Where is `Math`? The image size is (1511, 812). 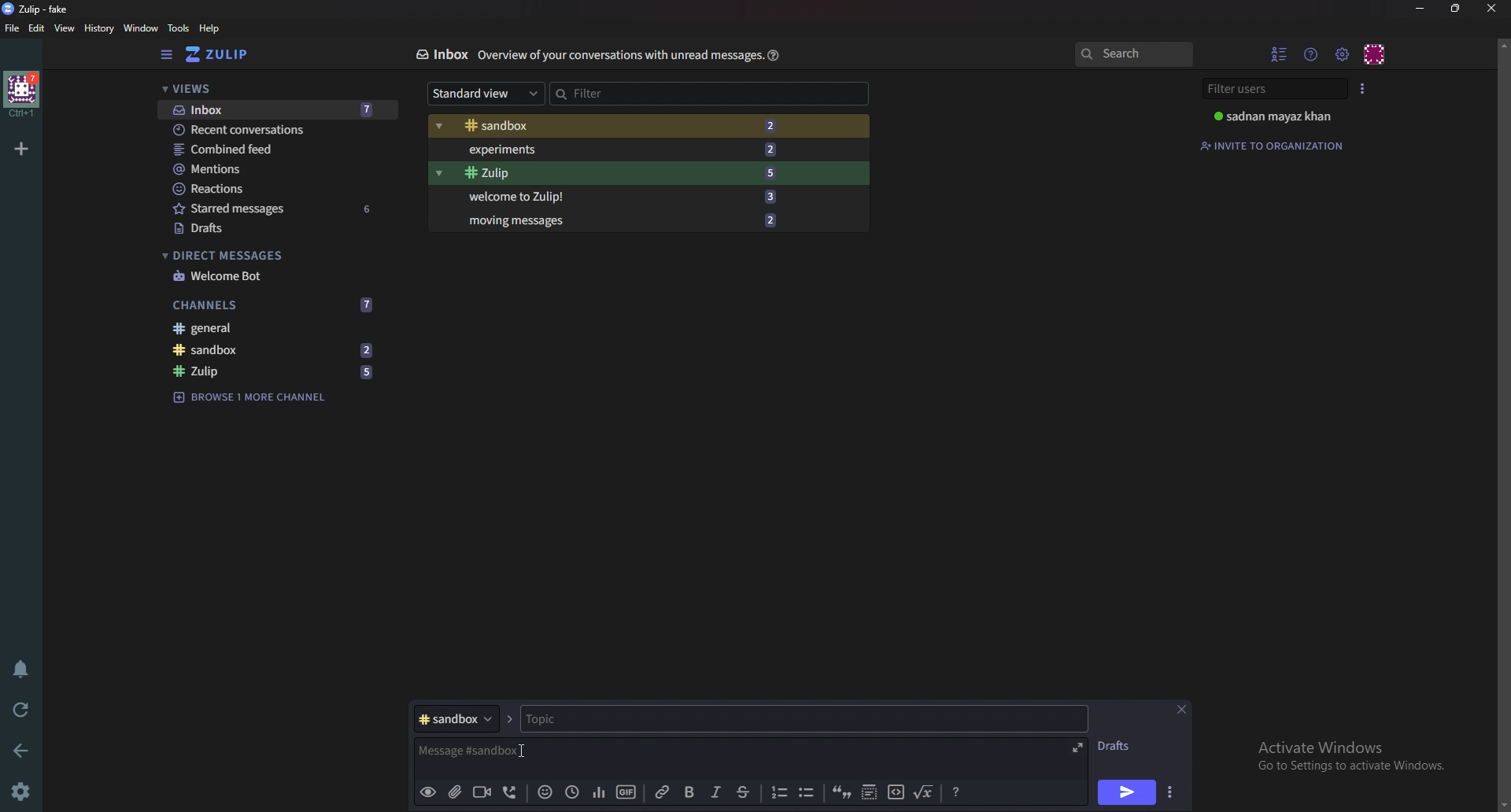
Math is located at coordinates (925, 792).